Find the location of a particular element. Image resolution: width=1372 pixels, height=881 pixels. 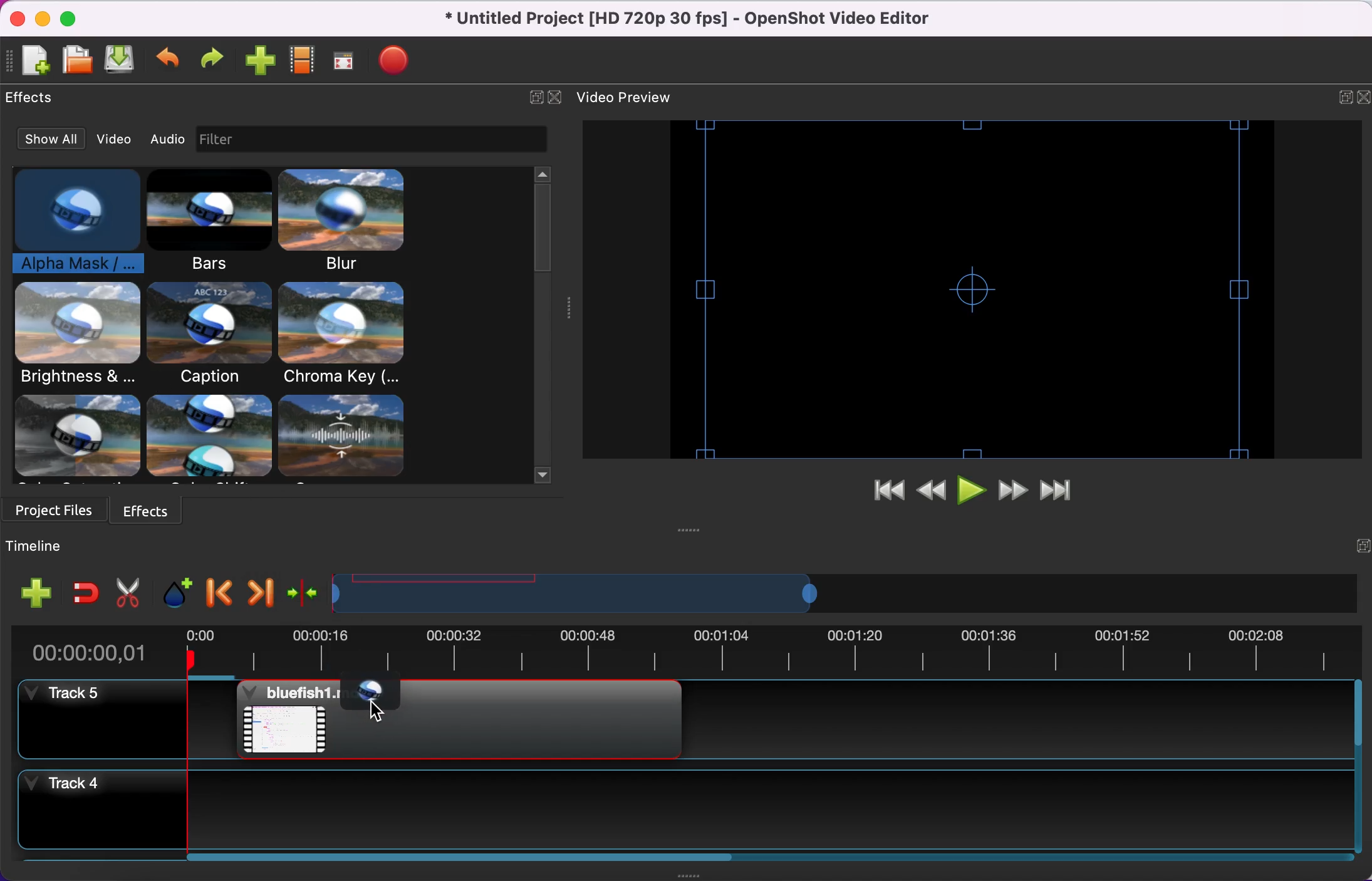

import video is located at coordinates (259, 63).